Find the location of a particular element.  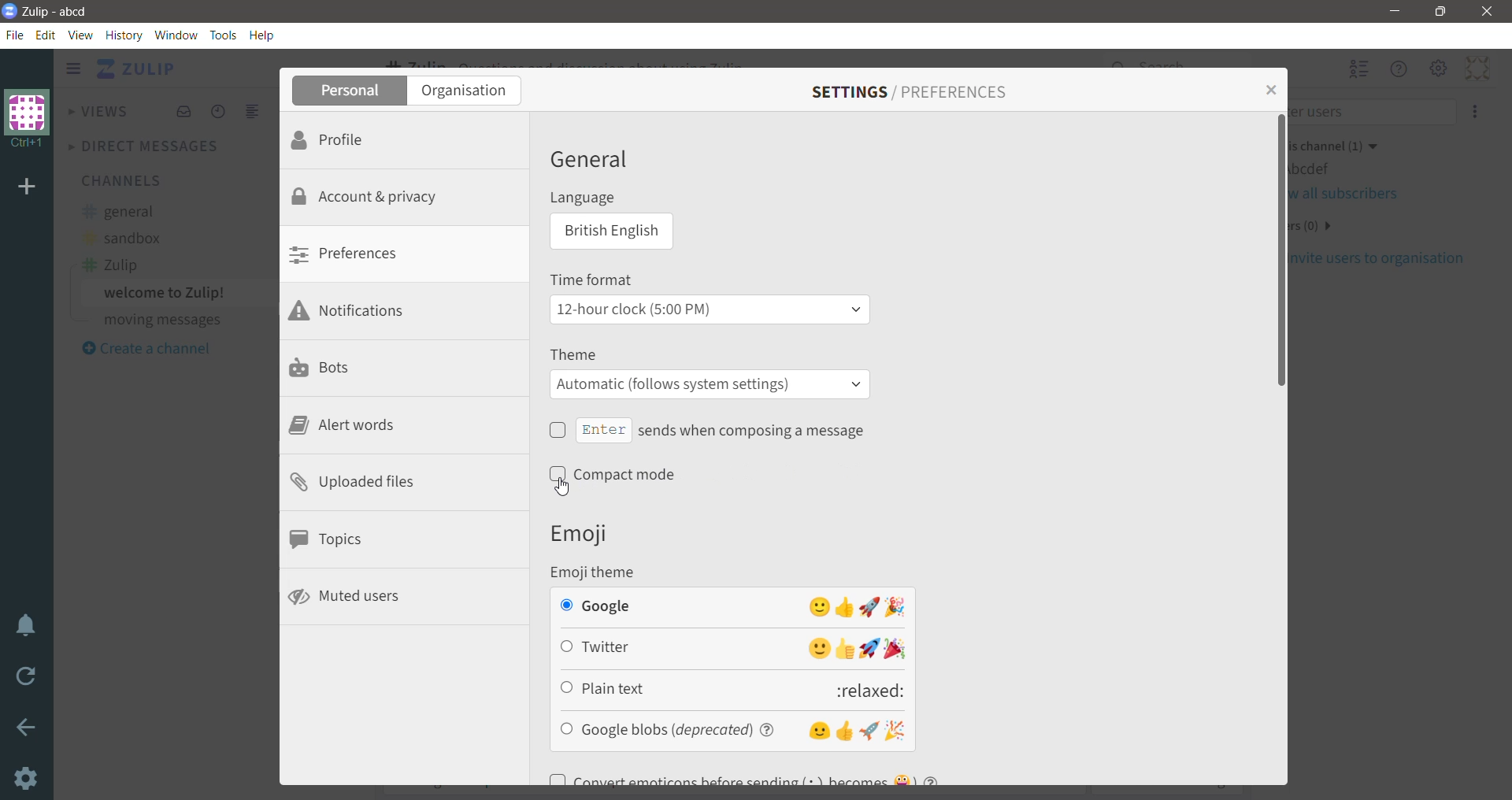

Notifications is located at coordinates (356, 311).